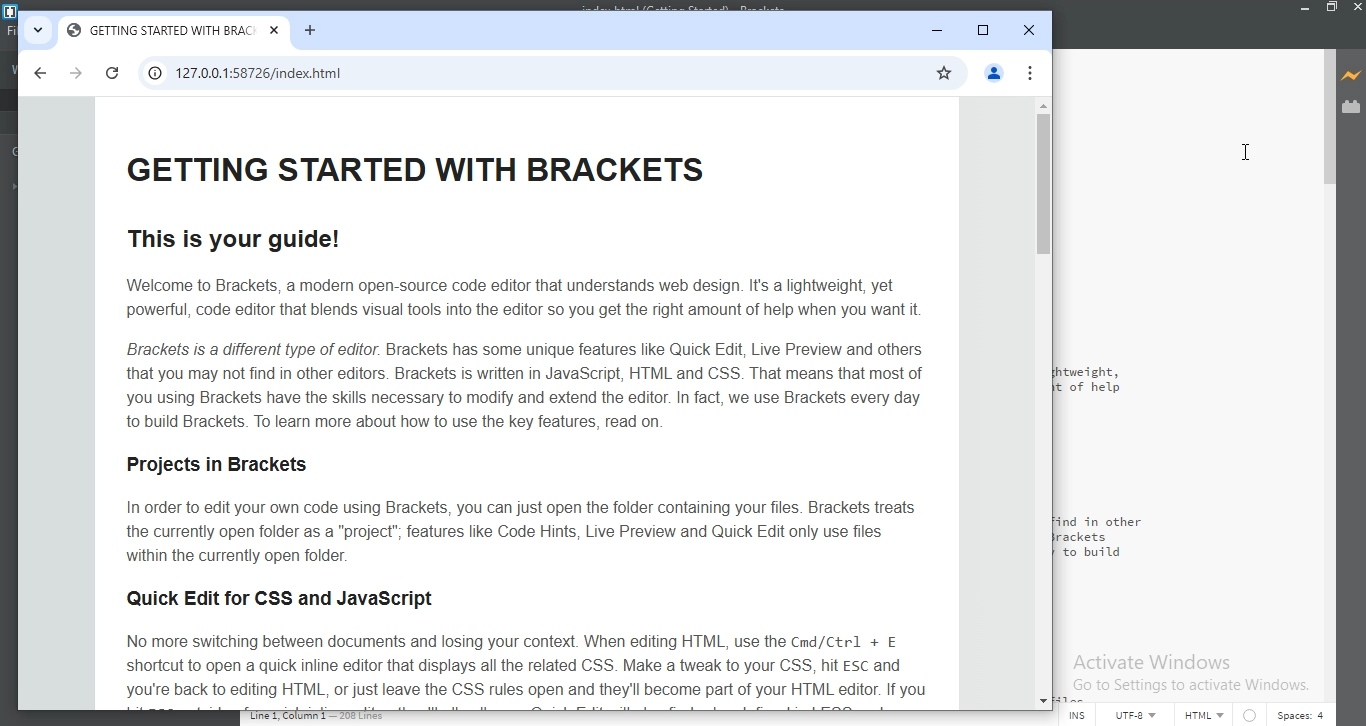  Describe the element at coordinates (1357, 7) in the screenshot. I see `cancel` at that location.